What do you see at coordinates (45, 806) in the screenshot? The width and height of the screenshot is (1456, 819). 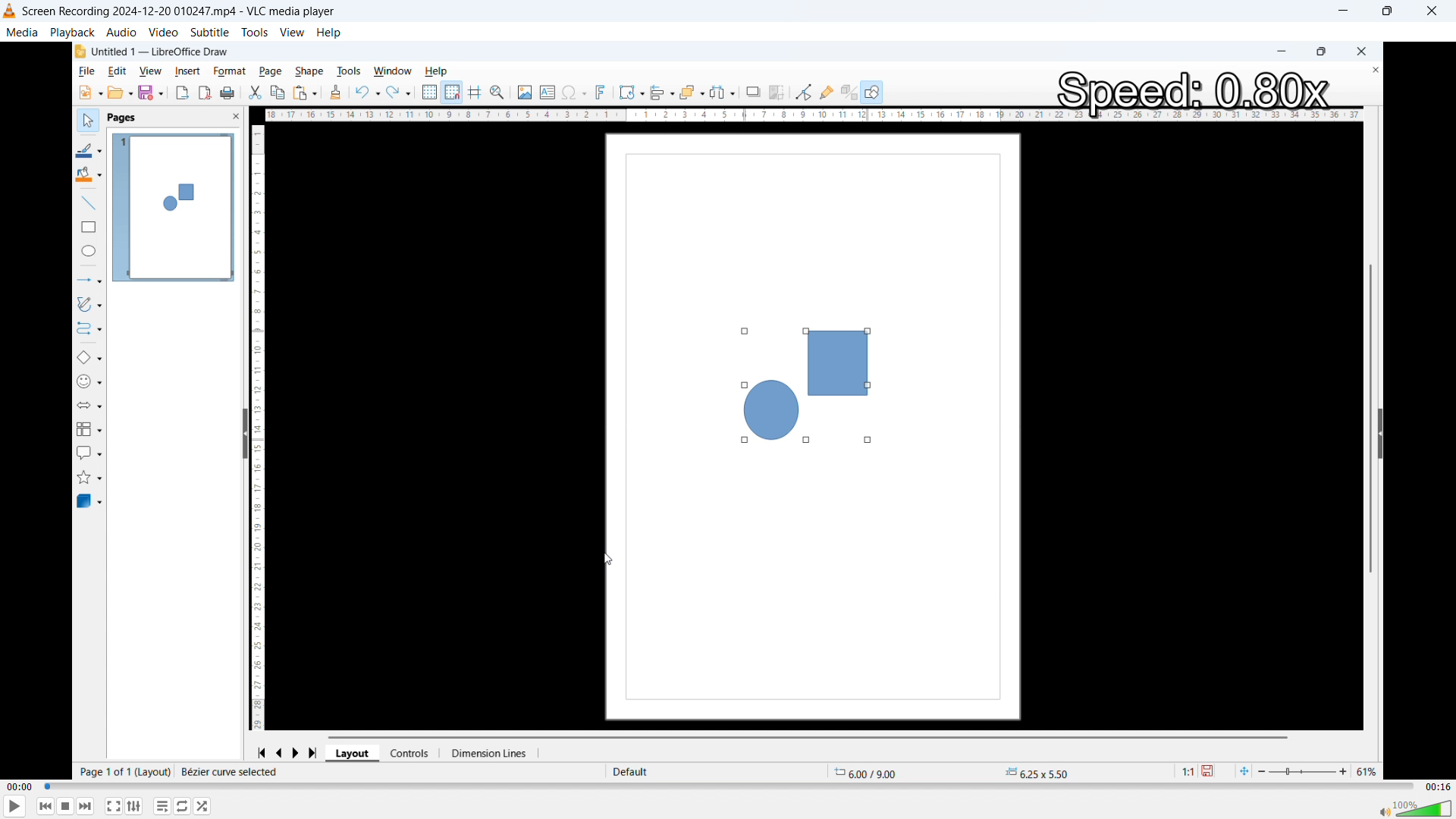 I see `Backward or previous media ` at bounding box center [45, 806].